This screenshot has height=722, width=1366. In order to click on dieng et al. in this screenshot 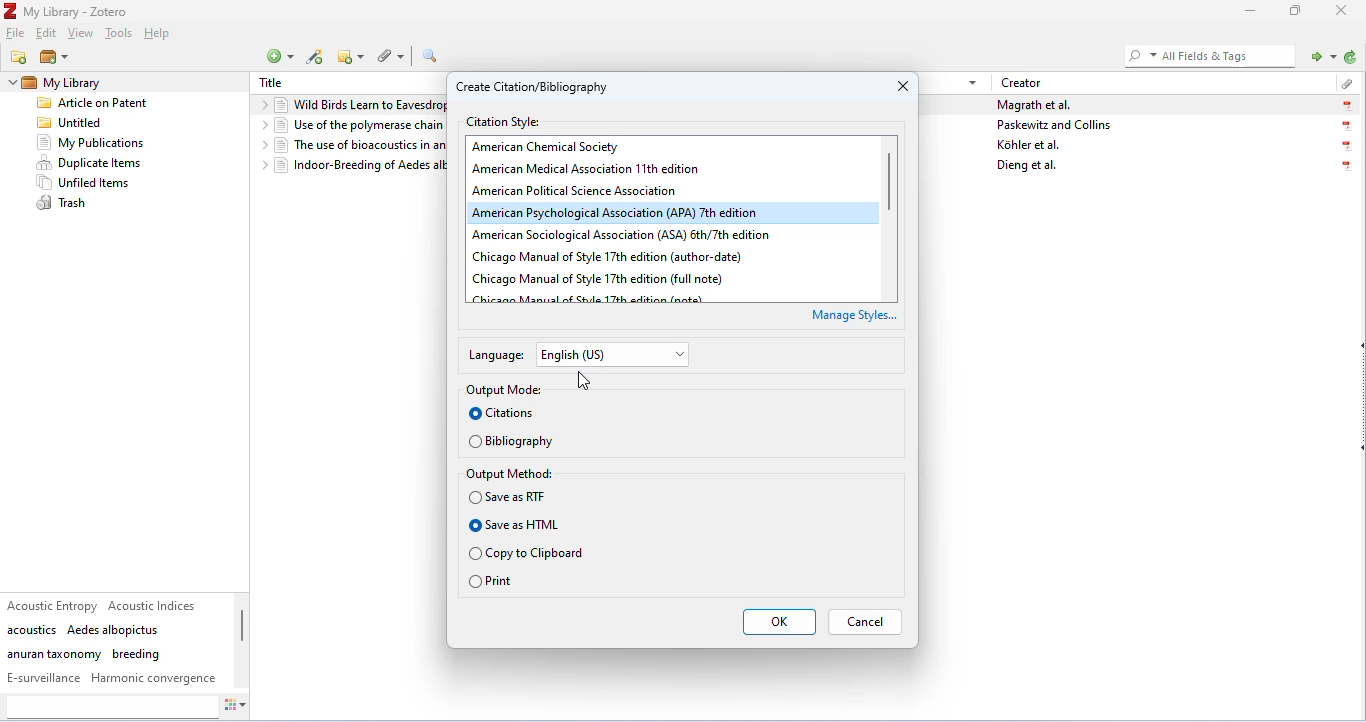, I will do `click(1028, 167)`.